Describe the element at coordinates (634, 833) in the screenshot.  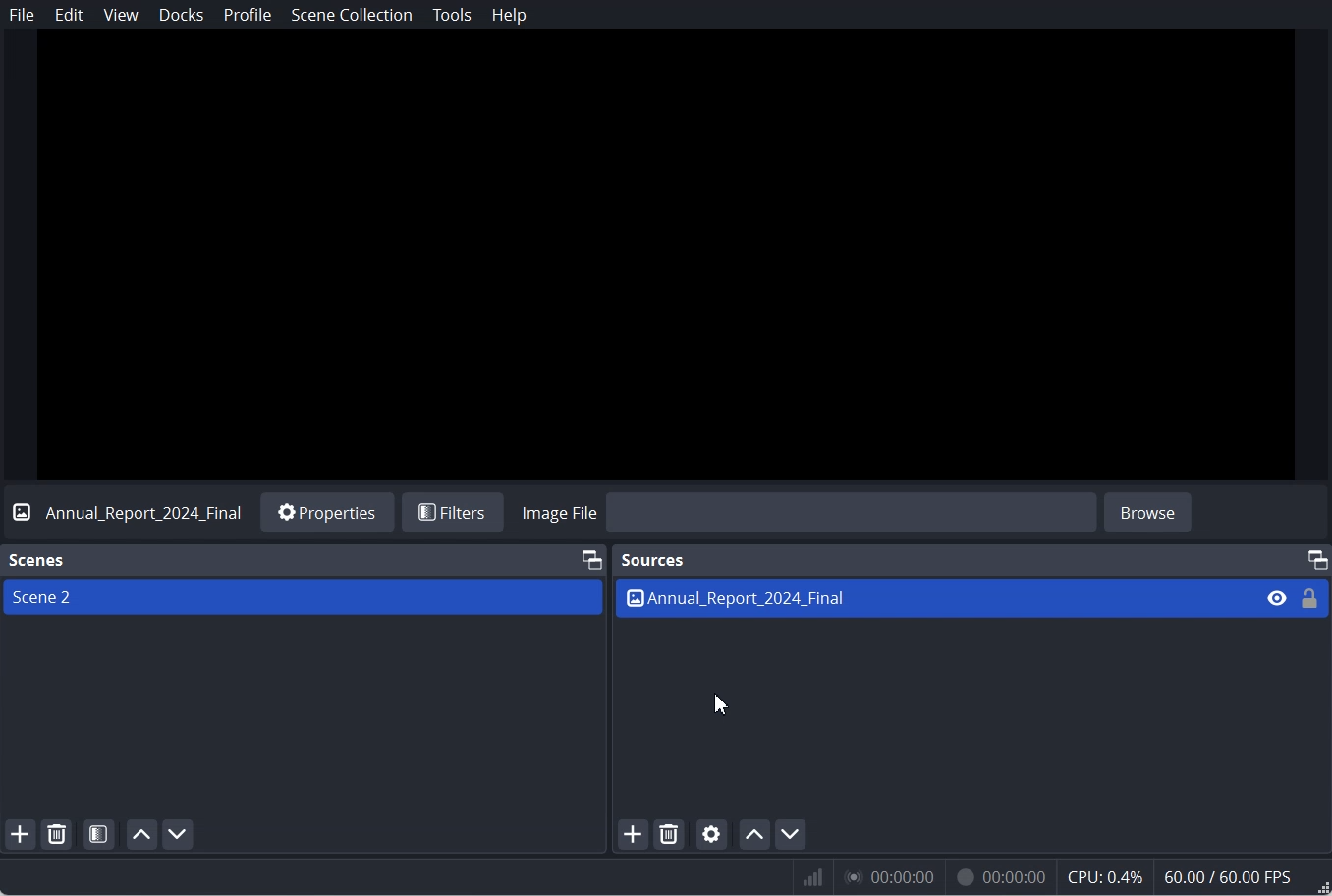
I see `Add Source` at that location.